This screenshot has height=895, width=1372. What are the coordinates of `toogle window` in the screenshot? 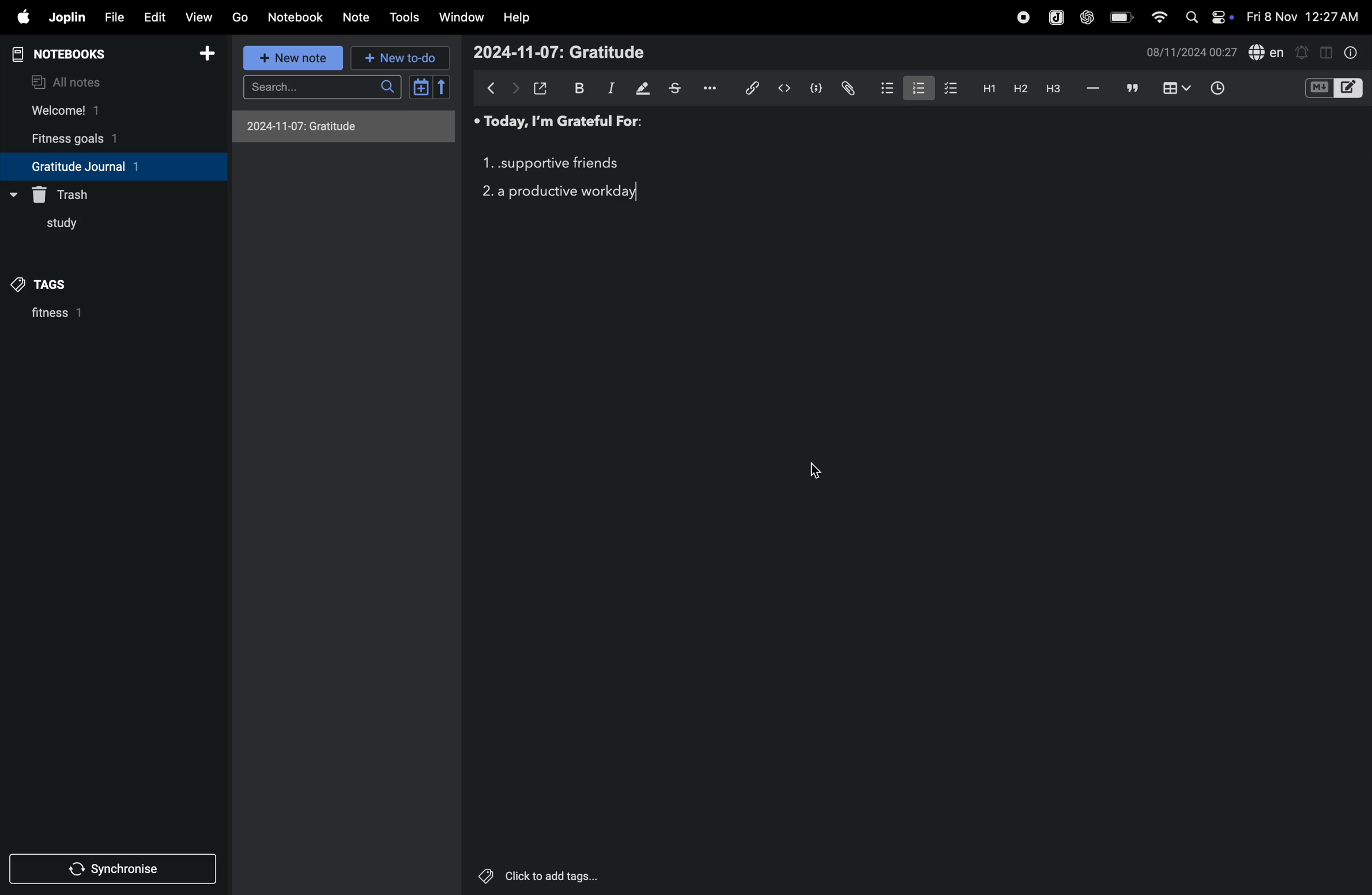 It's located at (1326, 51).